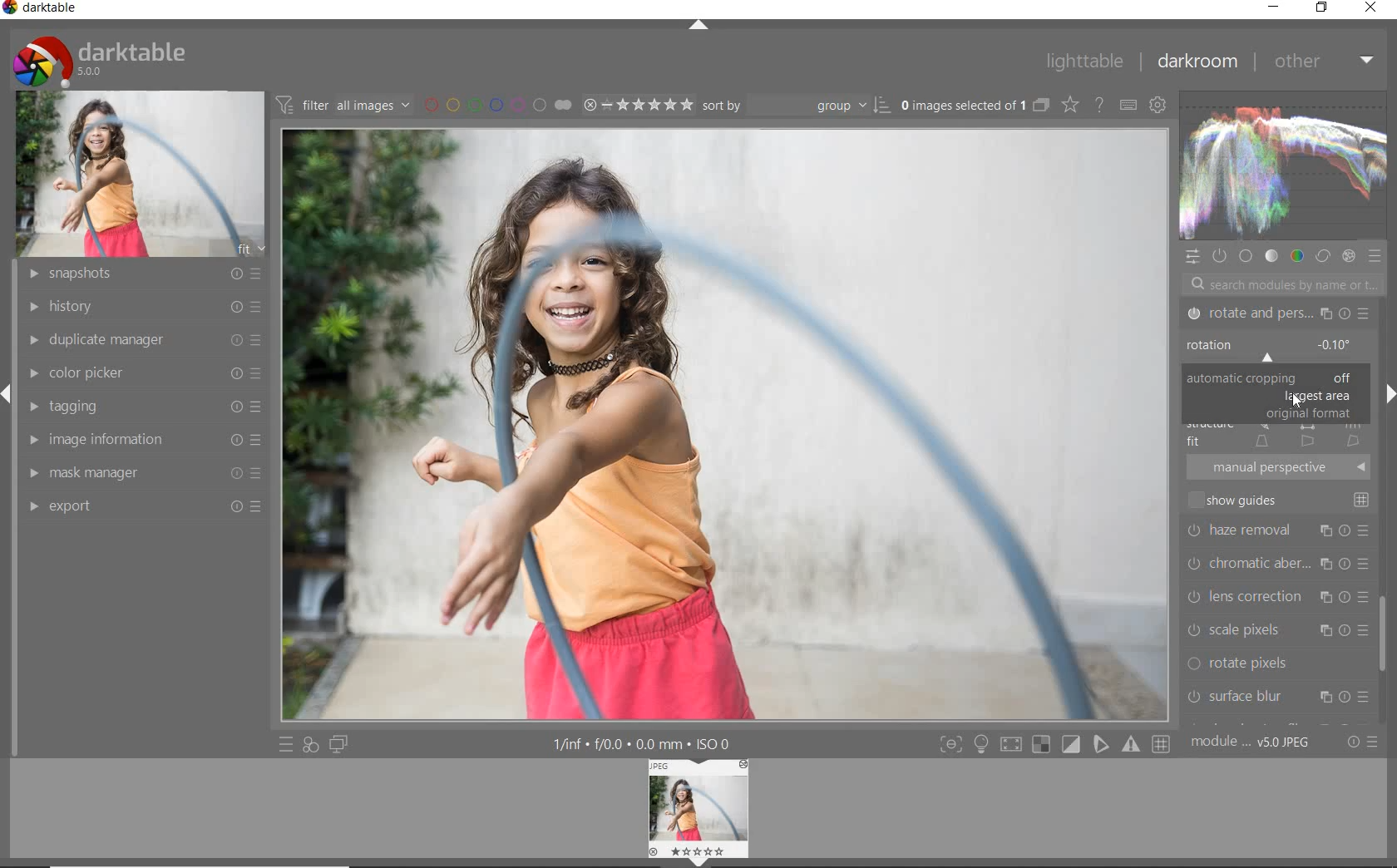  What do you see at coordinates (1072, 106) in the screenshot?
I see `change type of overlay` at bounding box center [1072, 106].